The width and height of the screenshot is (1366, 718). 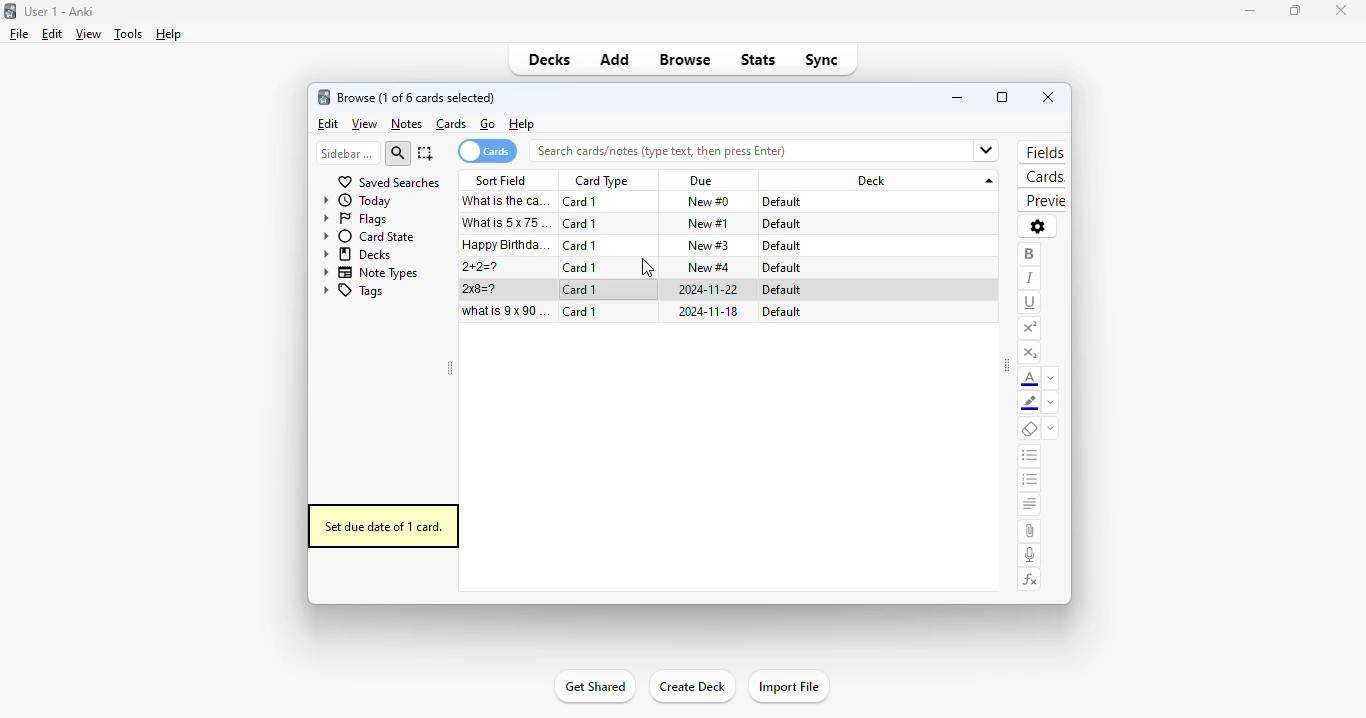 I want to click on attach pictures/audio/video, so click(x=1029, y=531).